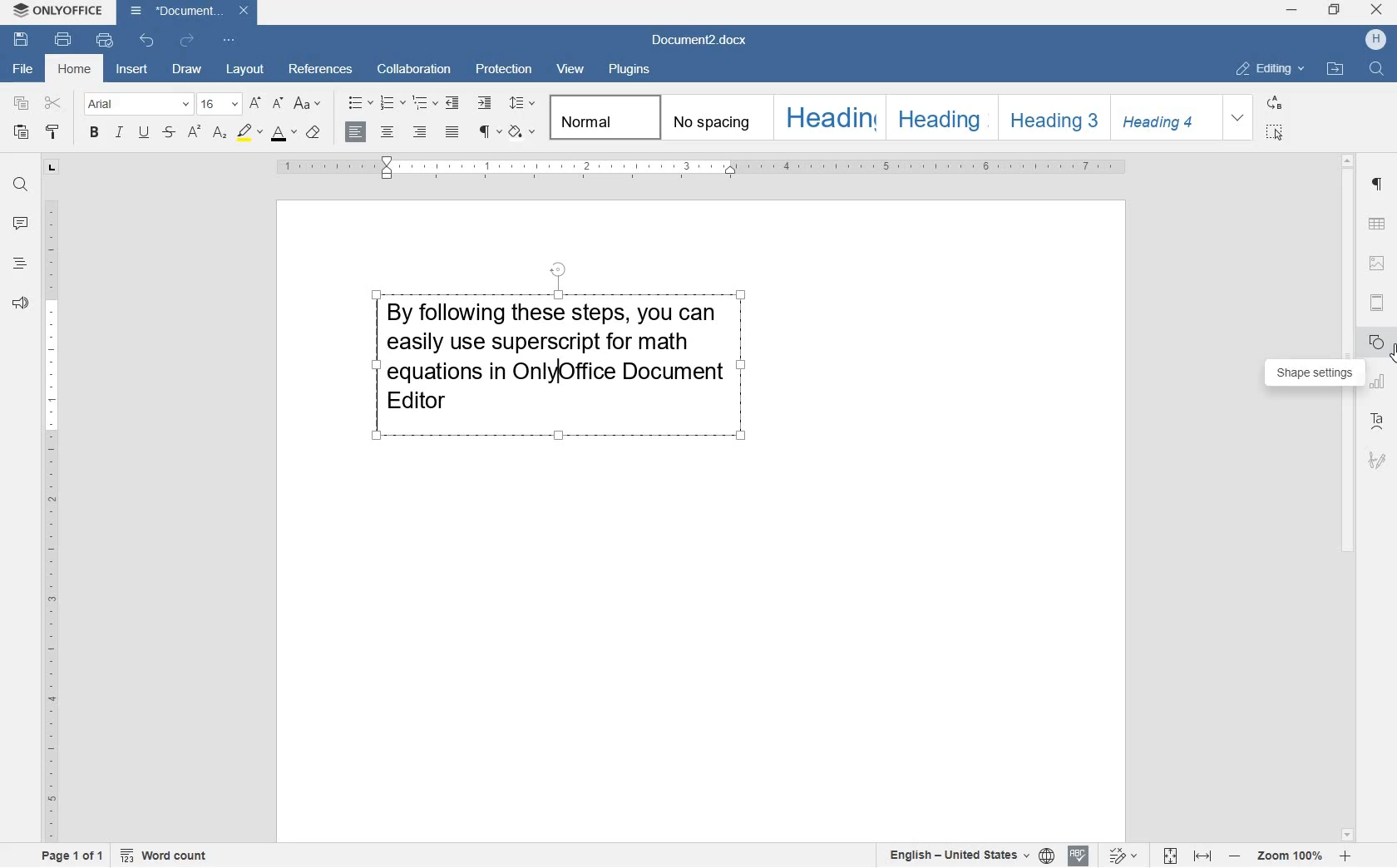 The width and height of the screenshot is (1397, 868). What do you see at coordinates (1050, 117) in the screenshot?
I see `HEADING 3` at bounding box center [1050, 117].